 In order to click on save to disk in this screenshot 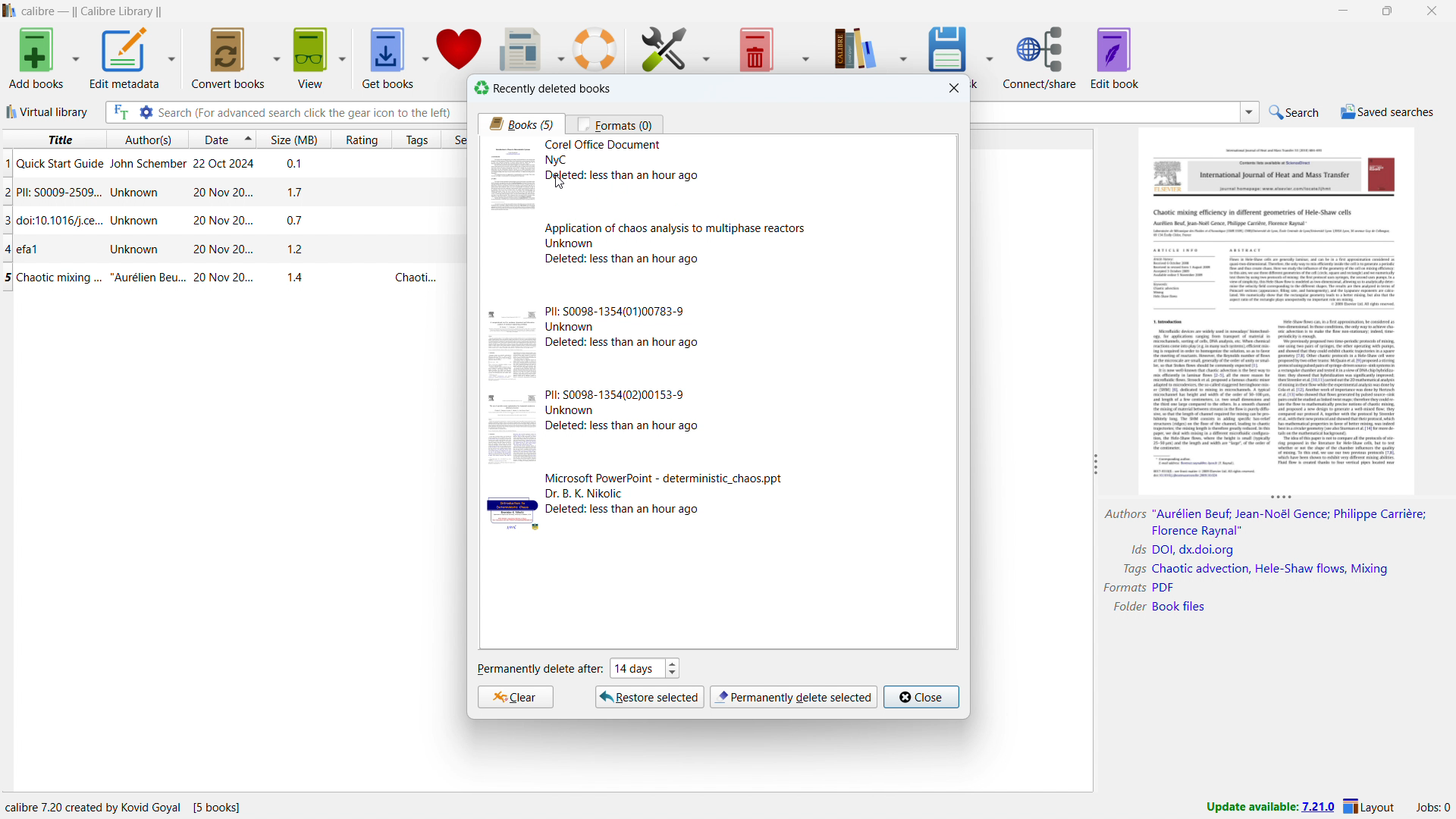, I will do `click(949, 47)`.